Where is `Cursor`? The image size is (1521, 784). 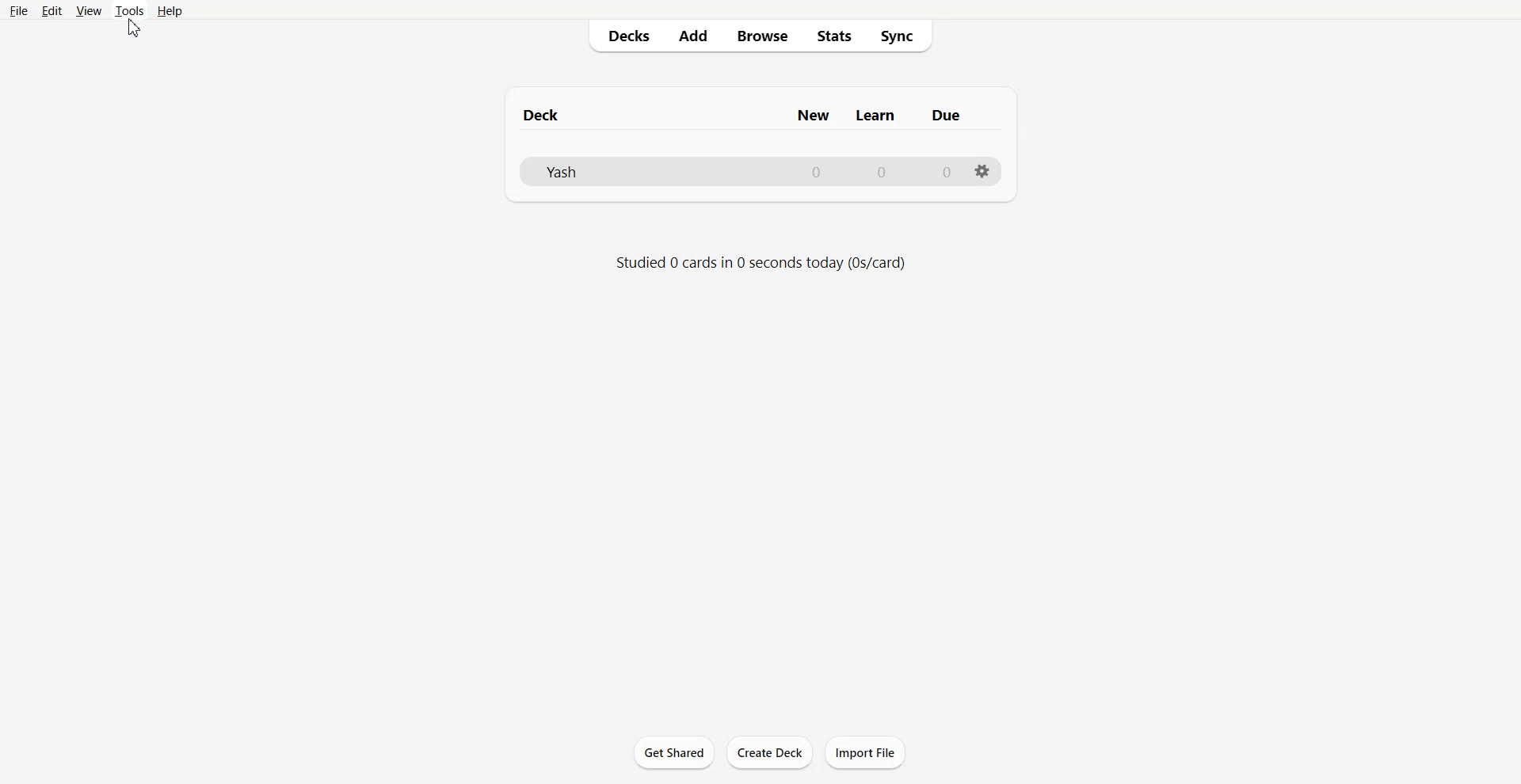 Cursor is located at coordinates (134, 28).